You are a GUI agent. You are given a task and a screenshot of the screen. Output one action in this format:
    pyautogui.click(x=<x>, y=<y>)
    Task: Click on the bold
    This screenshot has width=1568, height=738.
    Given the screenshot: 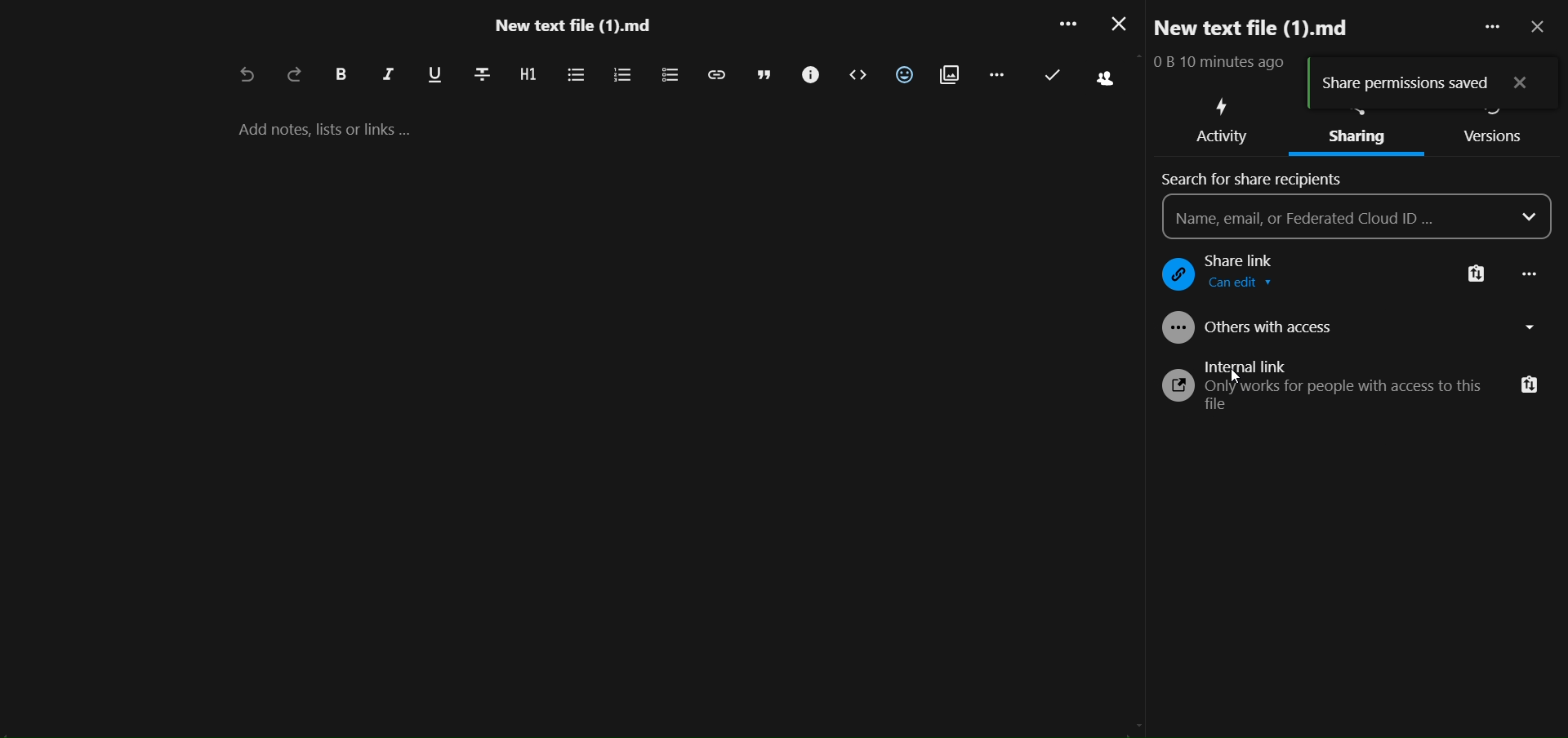 What is the action you would take?
    pyautogui.click(x=340, y=75)
    